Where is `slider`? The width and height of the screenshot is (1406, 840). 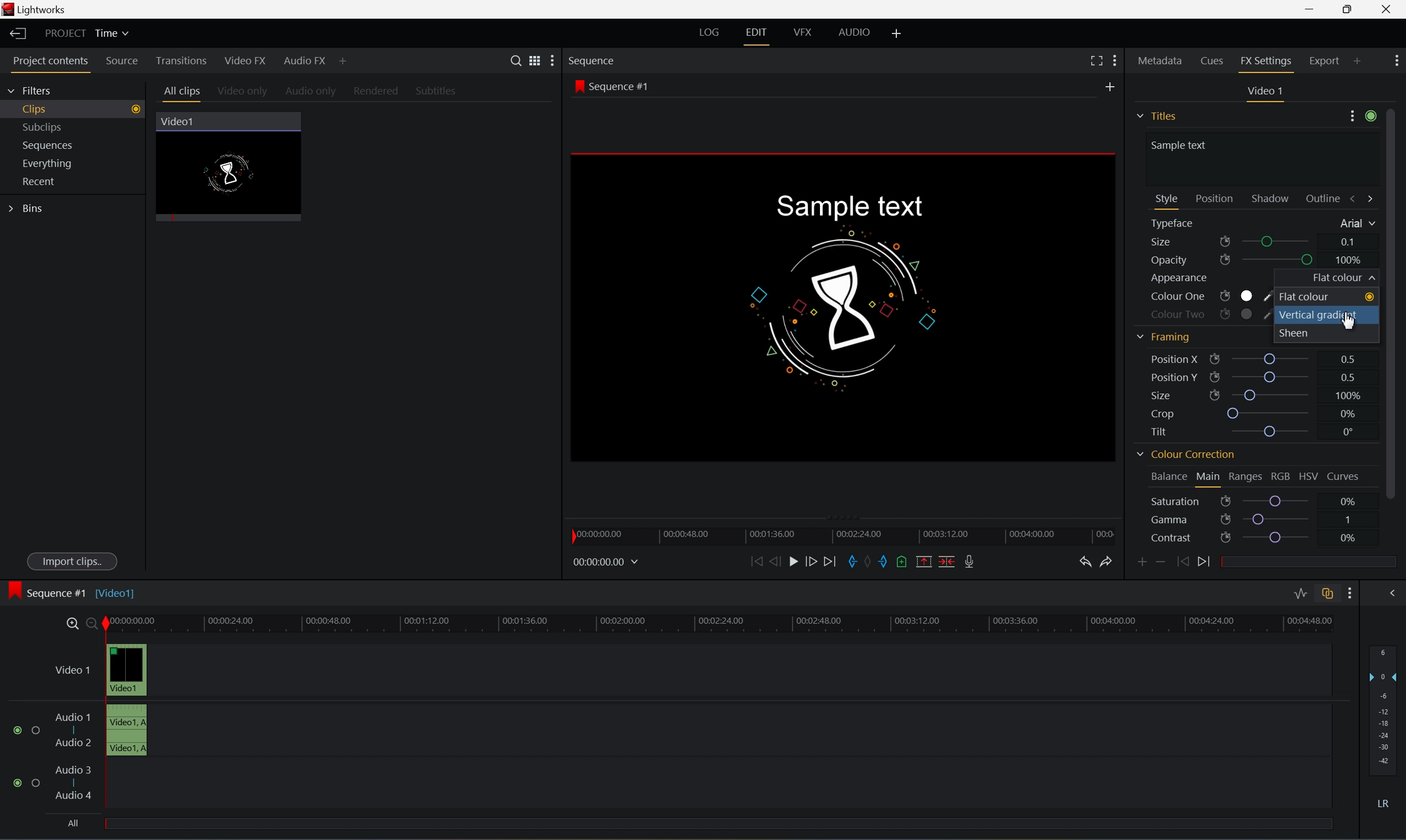 slider is located at coordinates (1272, 376).